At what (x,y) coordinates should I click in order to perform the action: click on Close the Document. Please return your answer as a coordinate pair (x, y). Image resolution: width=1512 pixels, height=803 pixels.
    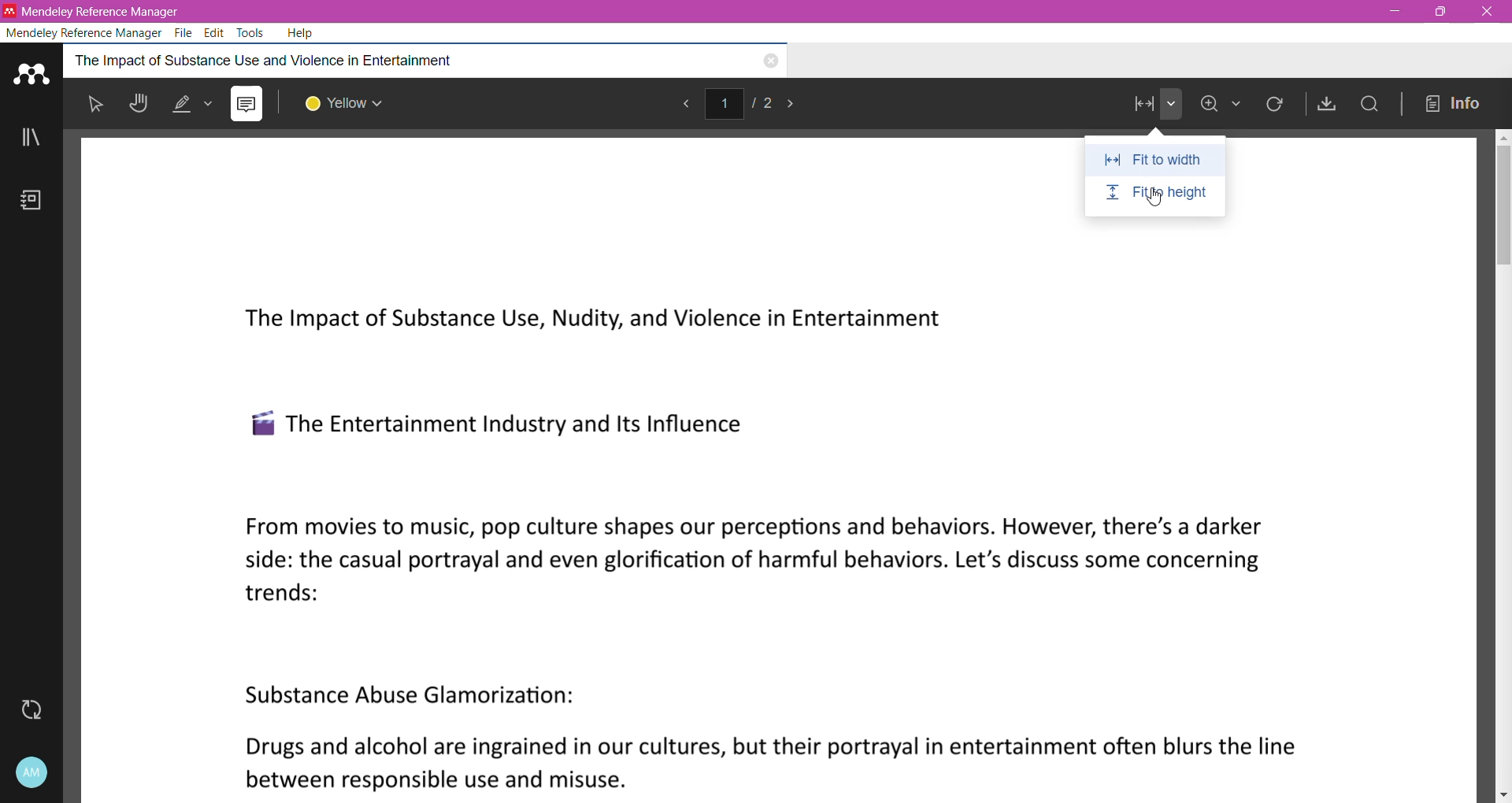
    Looking at the image, I should click on (770, 62).